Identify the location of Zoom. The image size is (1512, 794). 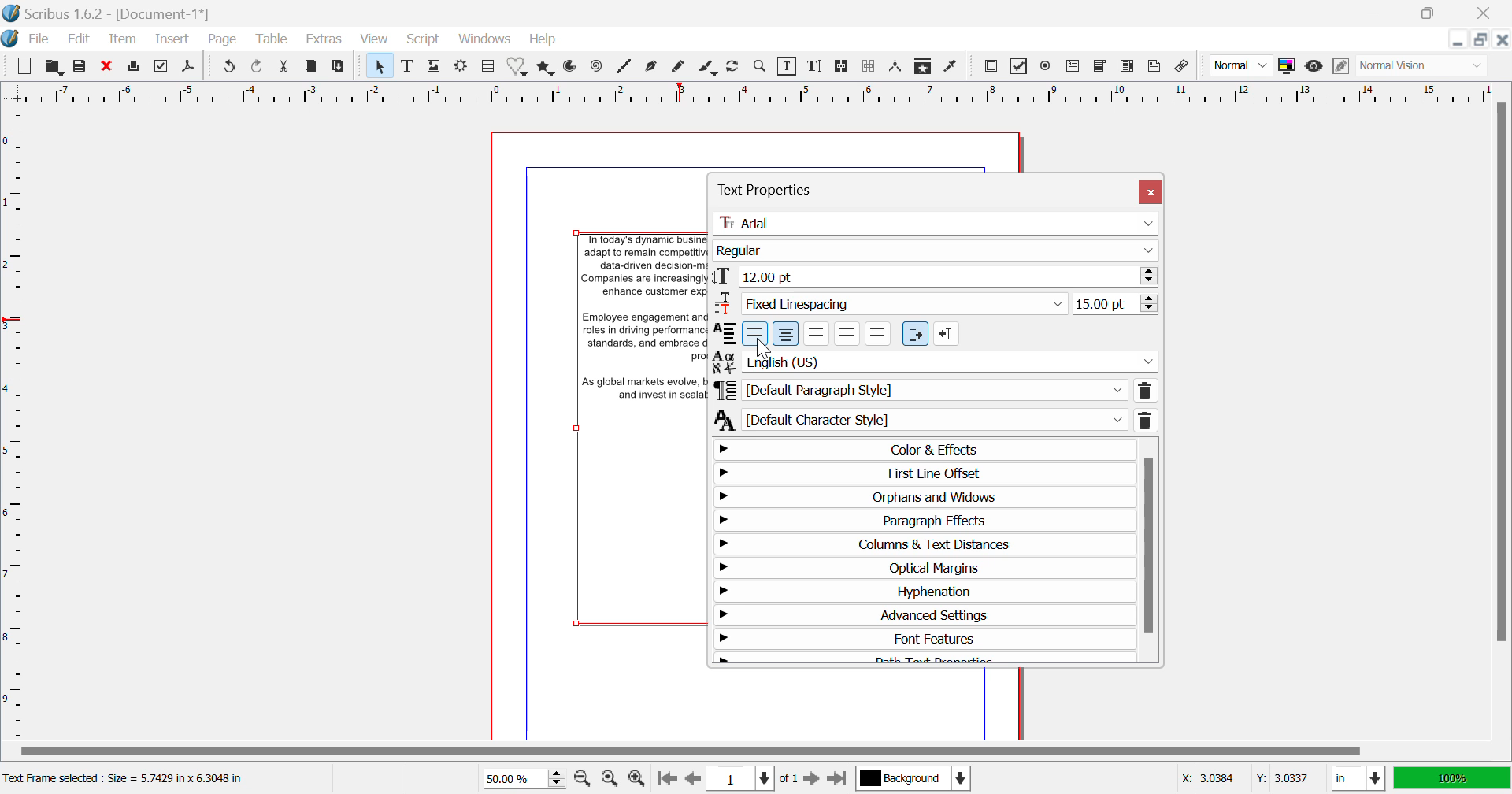
(760, 68).